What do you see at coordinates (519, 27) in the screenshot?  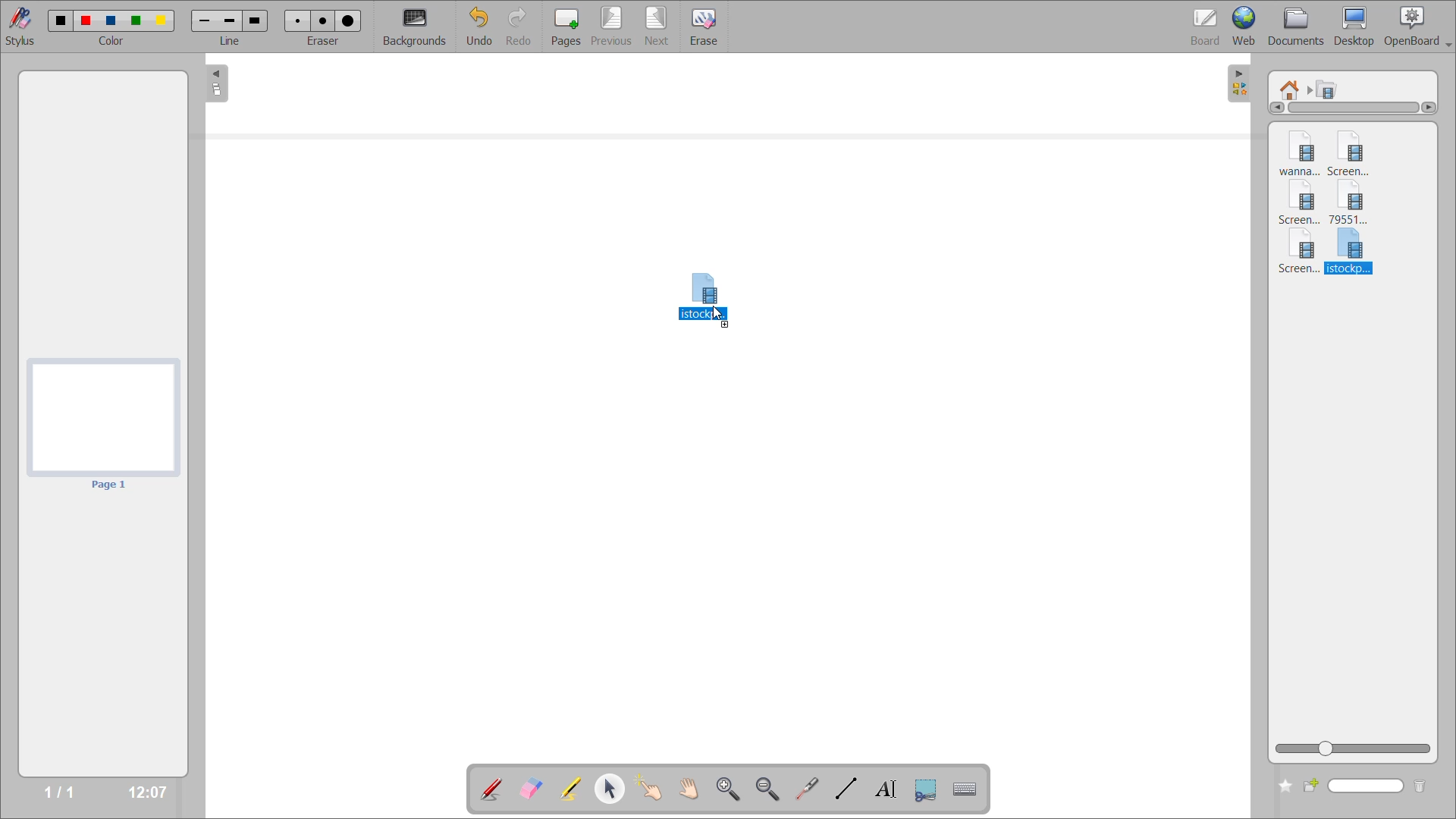 I see `redo` at bounding box center [519, 27].